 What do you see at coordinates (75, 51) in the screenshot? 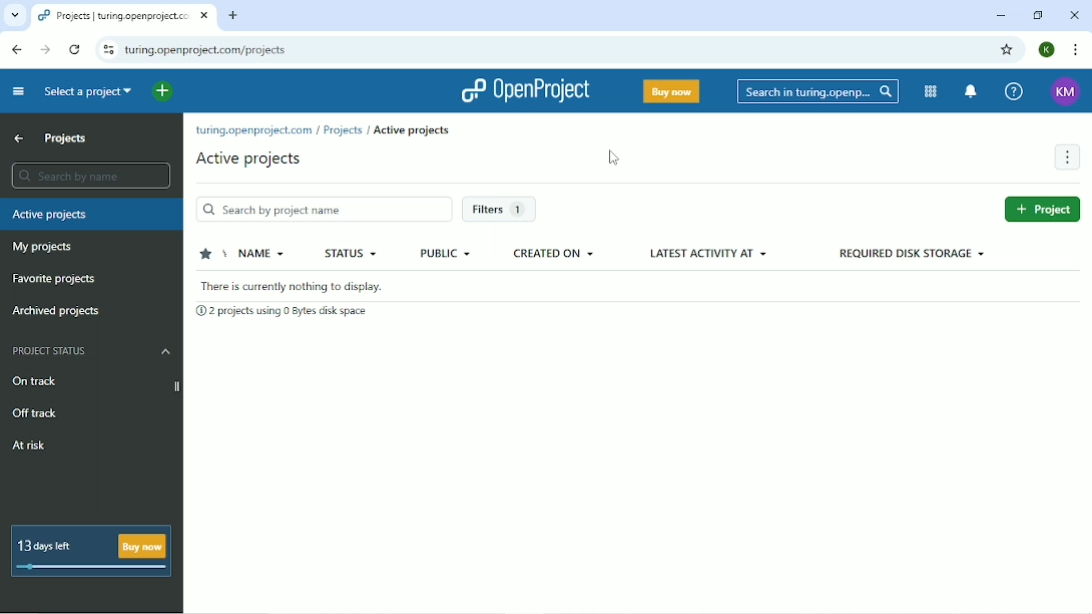
I see `Reload this page` at bounding box center [75, 51].